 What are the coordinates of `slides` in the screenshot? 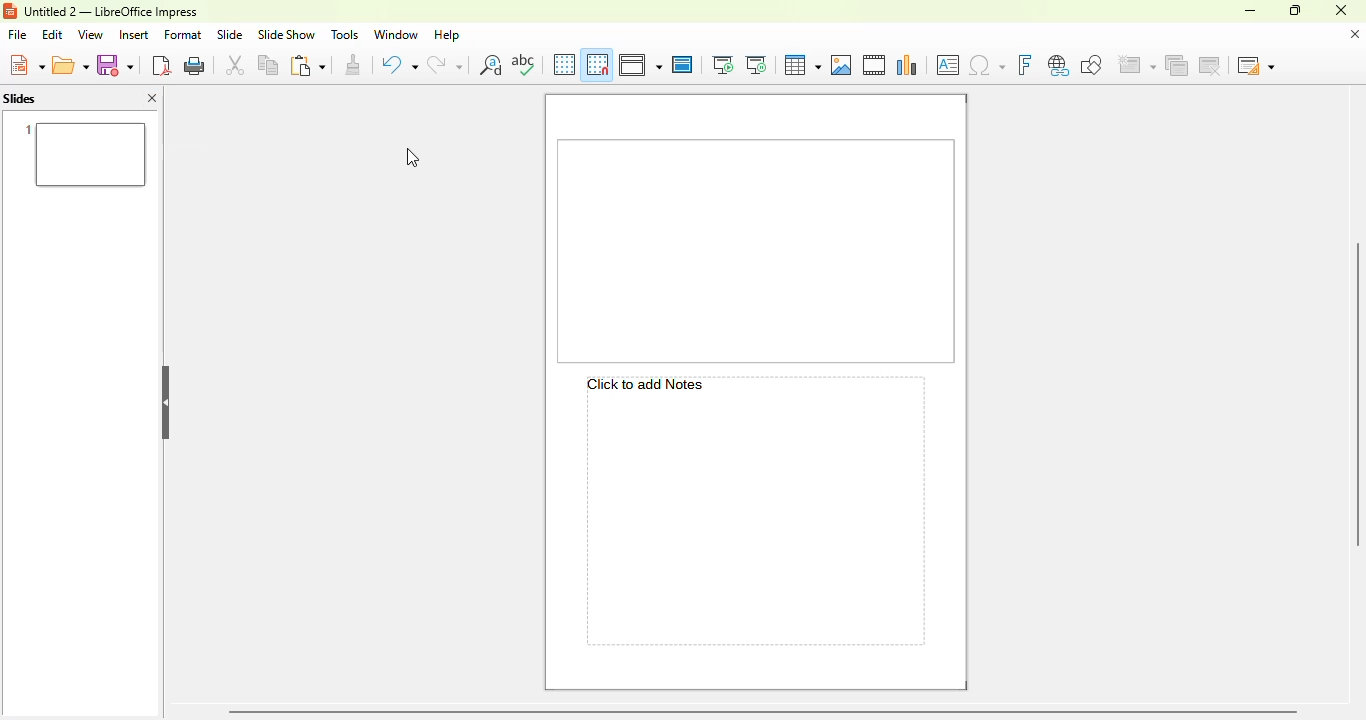 It's located at (20, 98).